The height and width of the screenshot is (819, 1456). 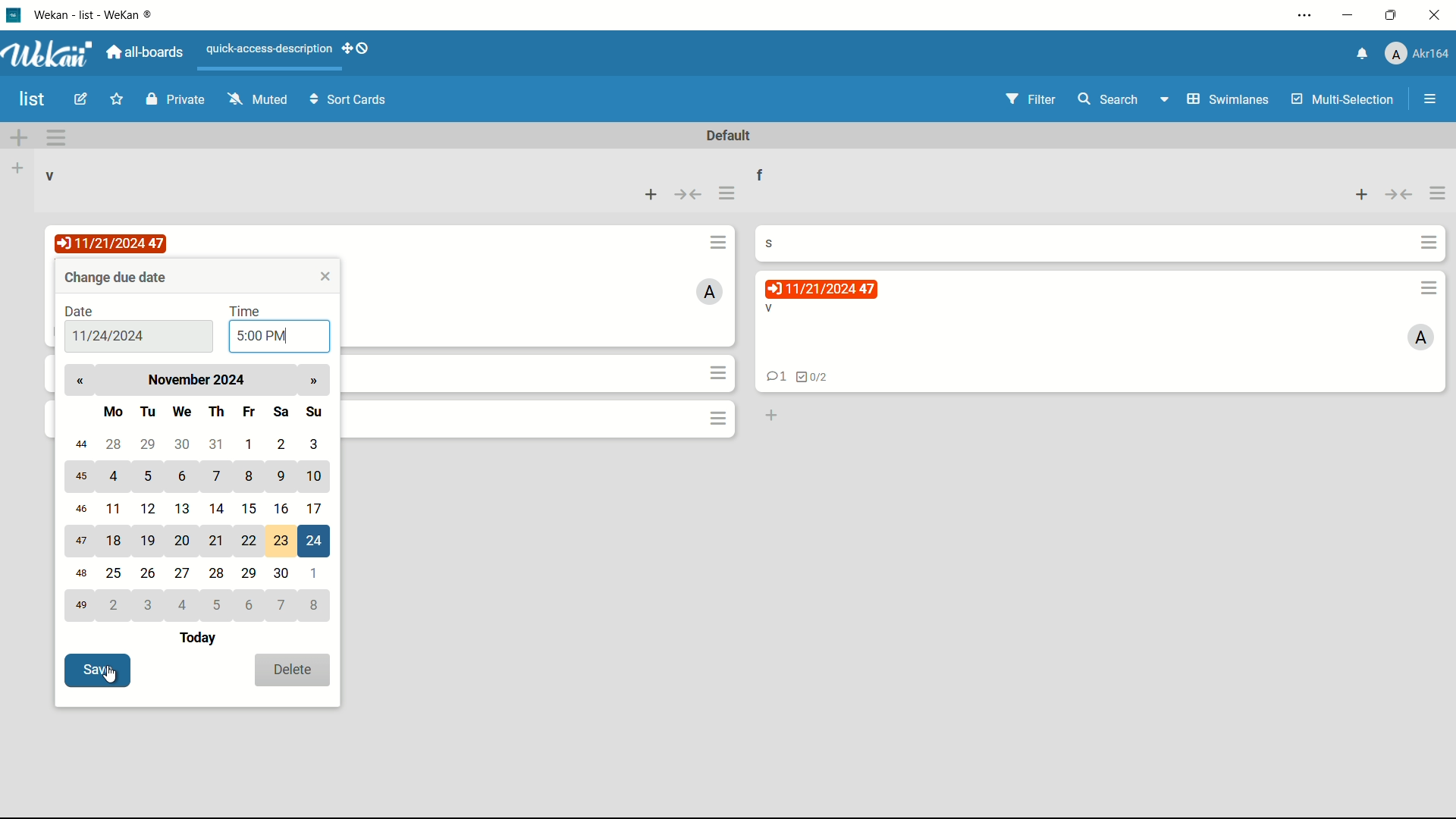 What do you see at coordinates (770, 416) in the screenshot?
I see `add card to bottom of list` at bounding box center [770, 416].